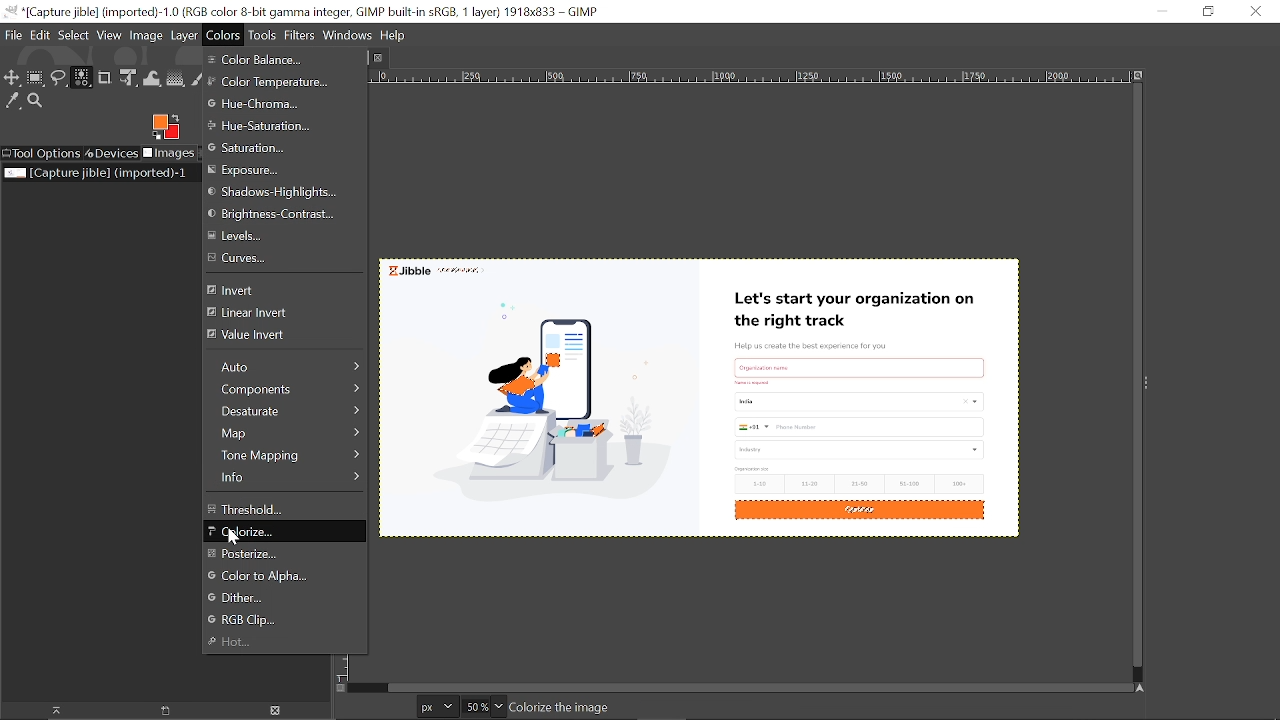 Image resolution: width=1280 pixels, height=720 pixels. What do you see at coordinates (278, 214) in the screenshot?
I see `Brightness contrast` at bounding box center [278, 214].